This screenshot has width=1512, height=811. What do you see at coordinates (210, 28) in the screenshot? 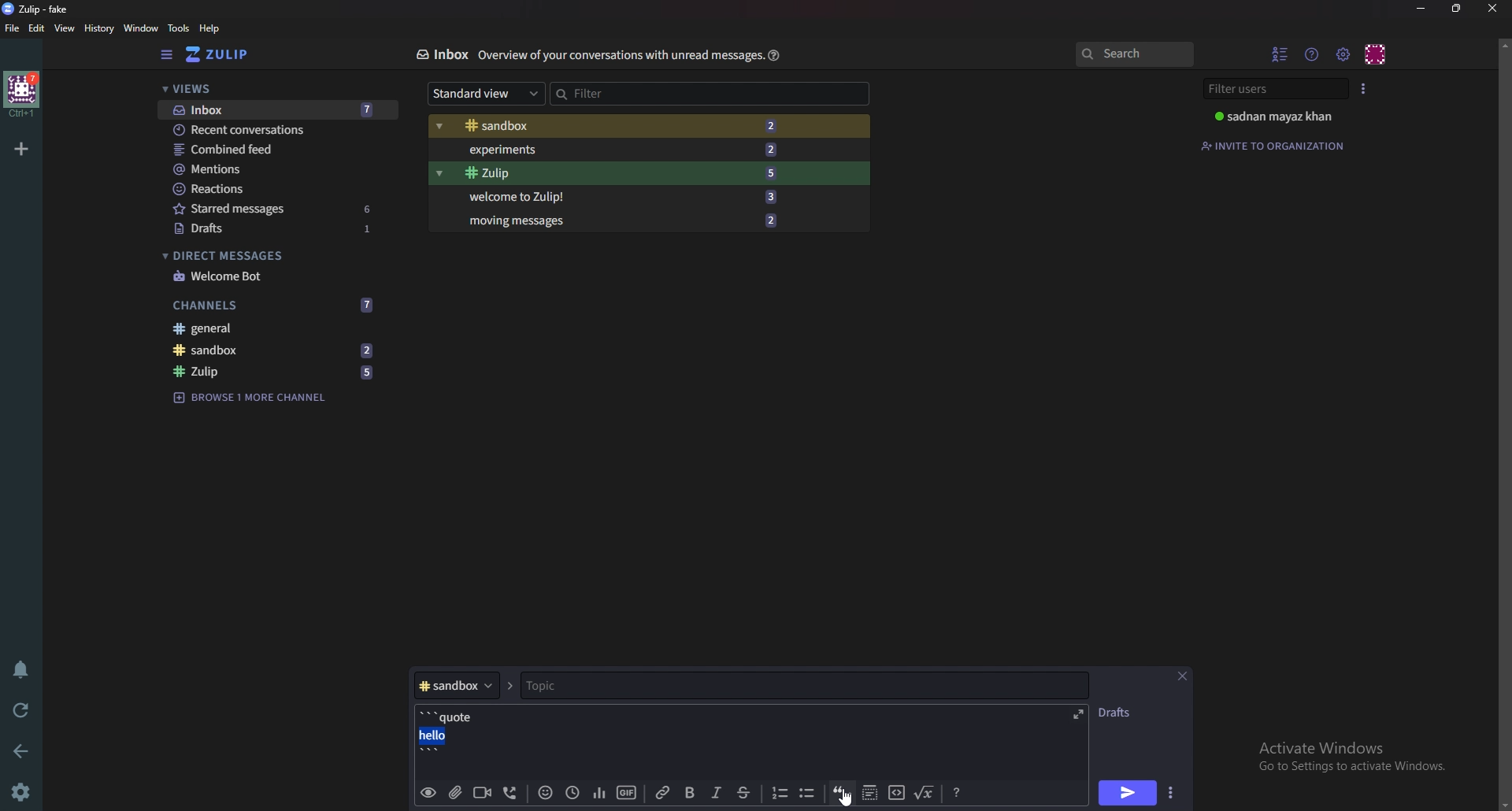
I see `help` at bounding box center [210, 28].